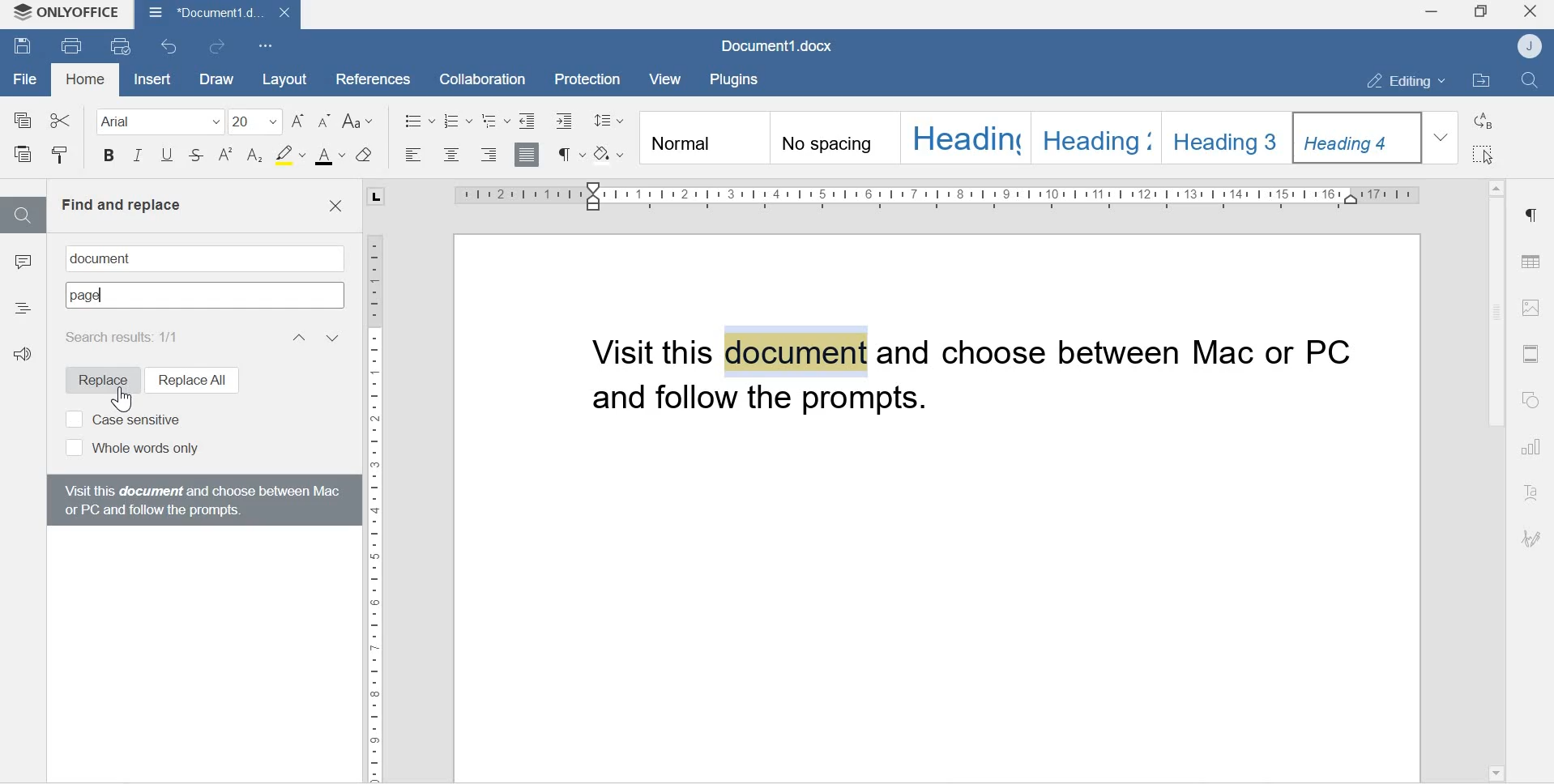  I want to click on Scrollbar, so click(1494, 314).